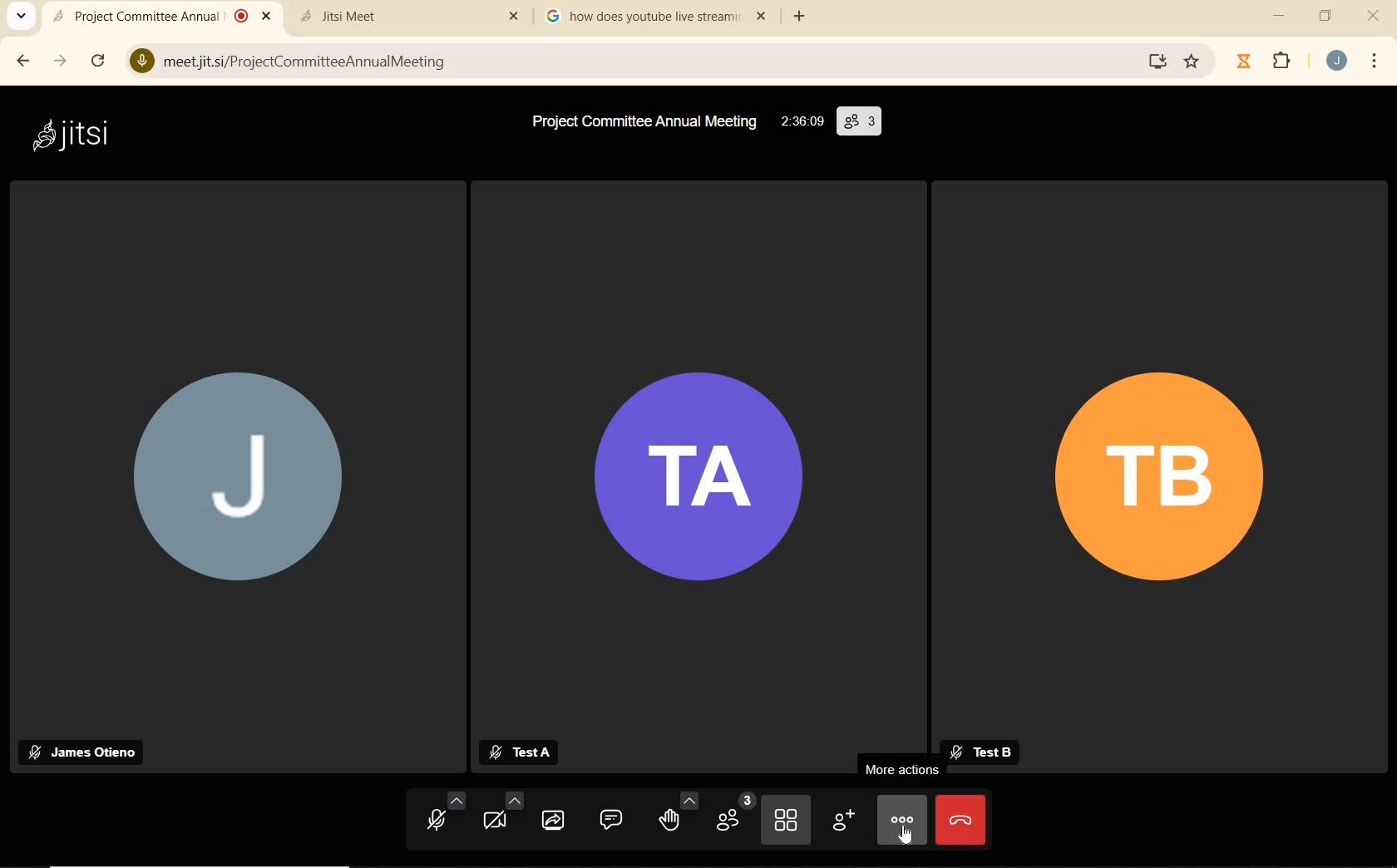 This screenshot has width=1397, height=868. What do you see at coordinates (1192, 57) in the screenshot?
I see `Favorite` at bounding box center [1192, 57].